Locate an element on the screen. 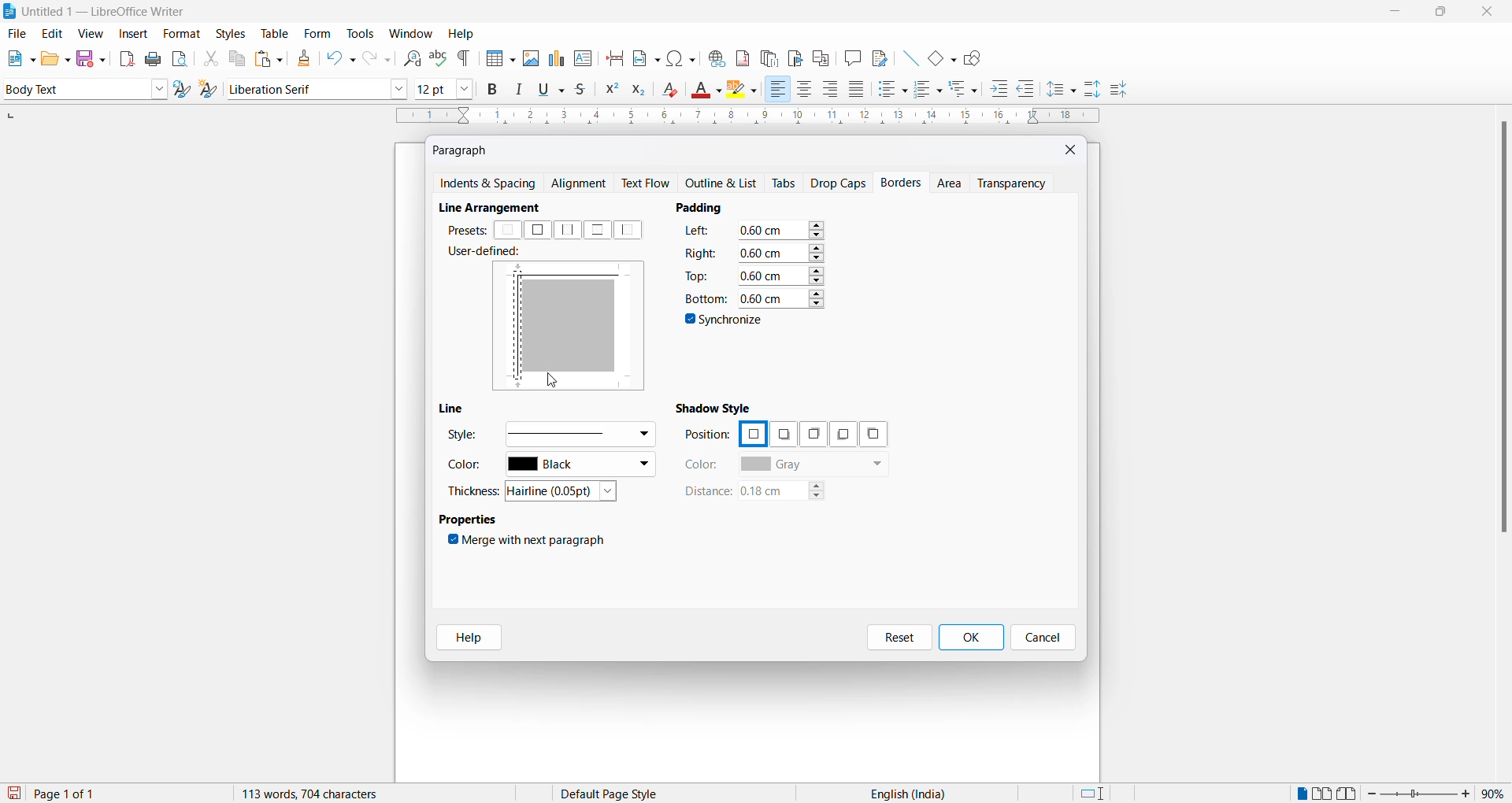 The width and height of the screenshot is (1512, 803). styles is located at coordinates (230, 32).